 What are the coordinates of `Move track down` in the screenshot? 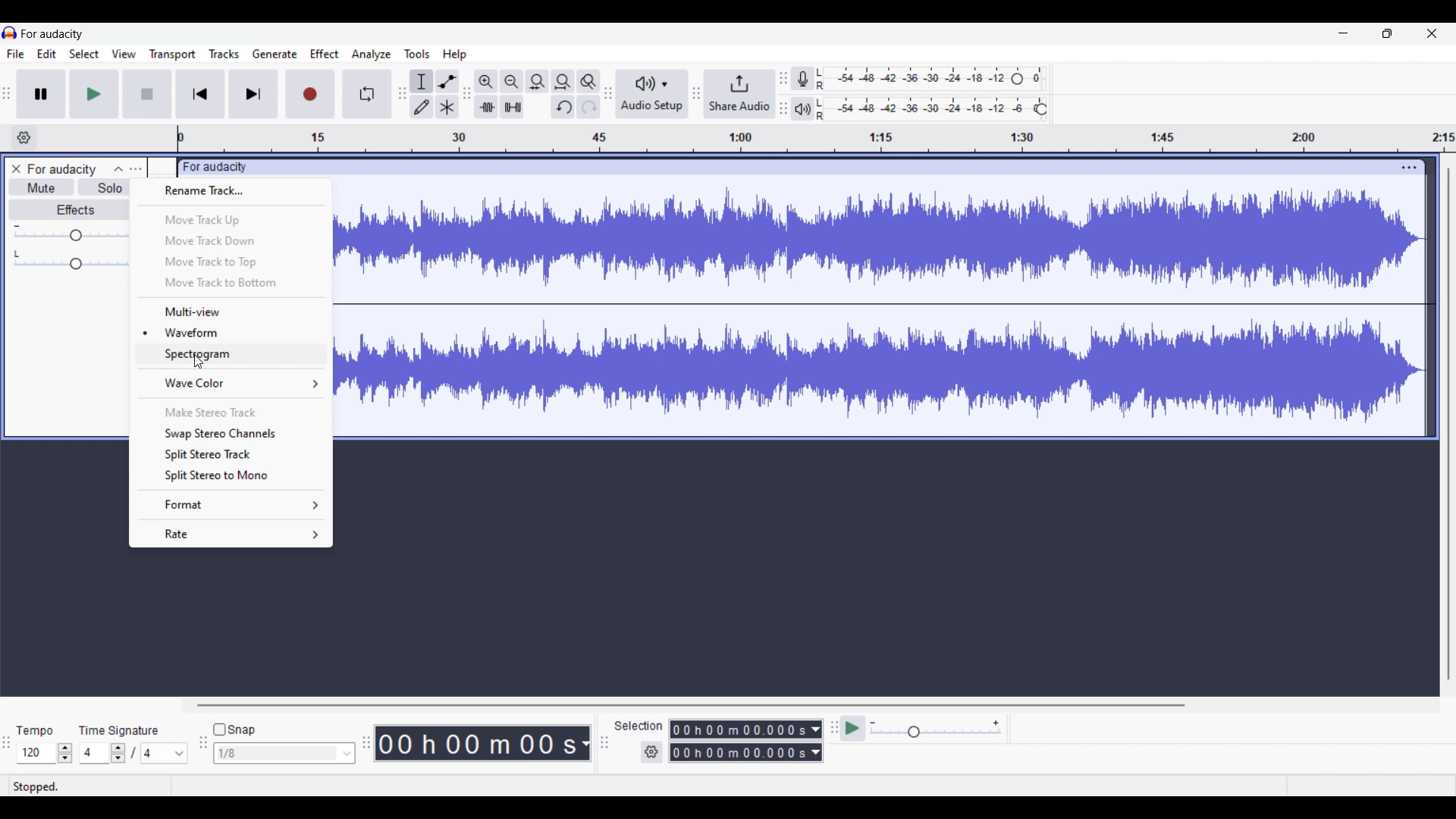 It's located at (232, 240).